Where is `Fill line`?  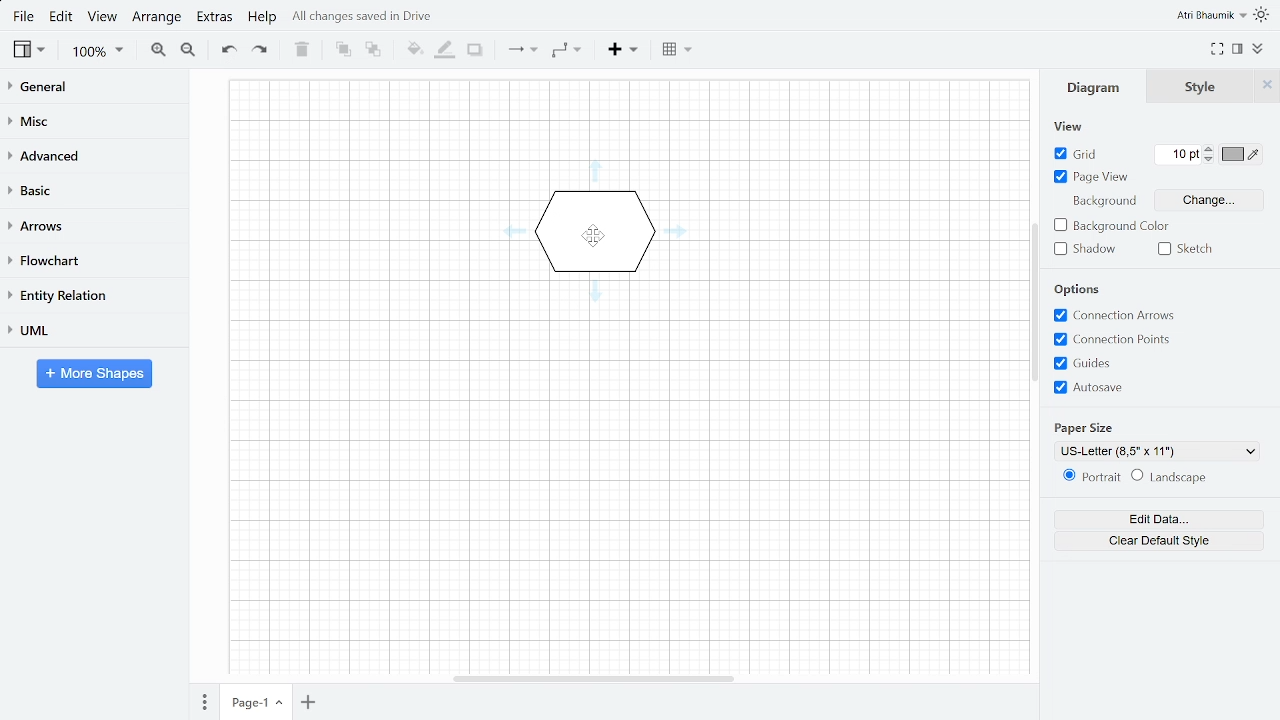 Fill line is located at coordinates (448, 51).